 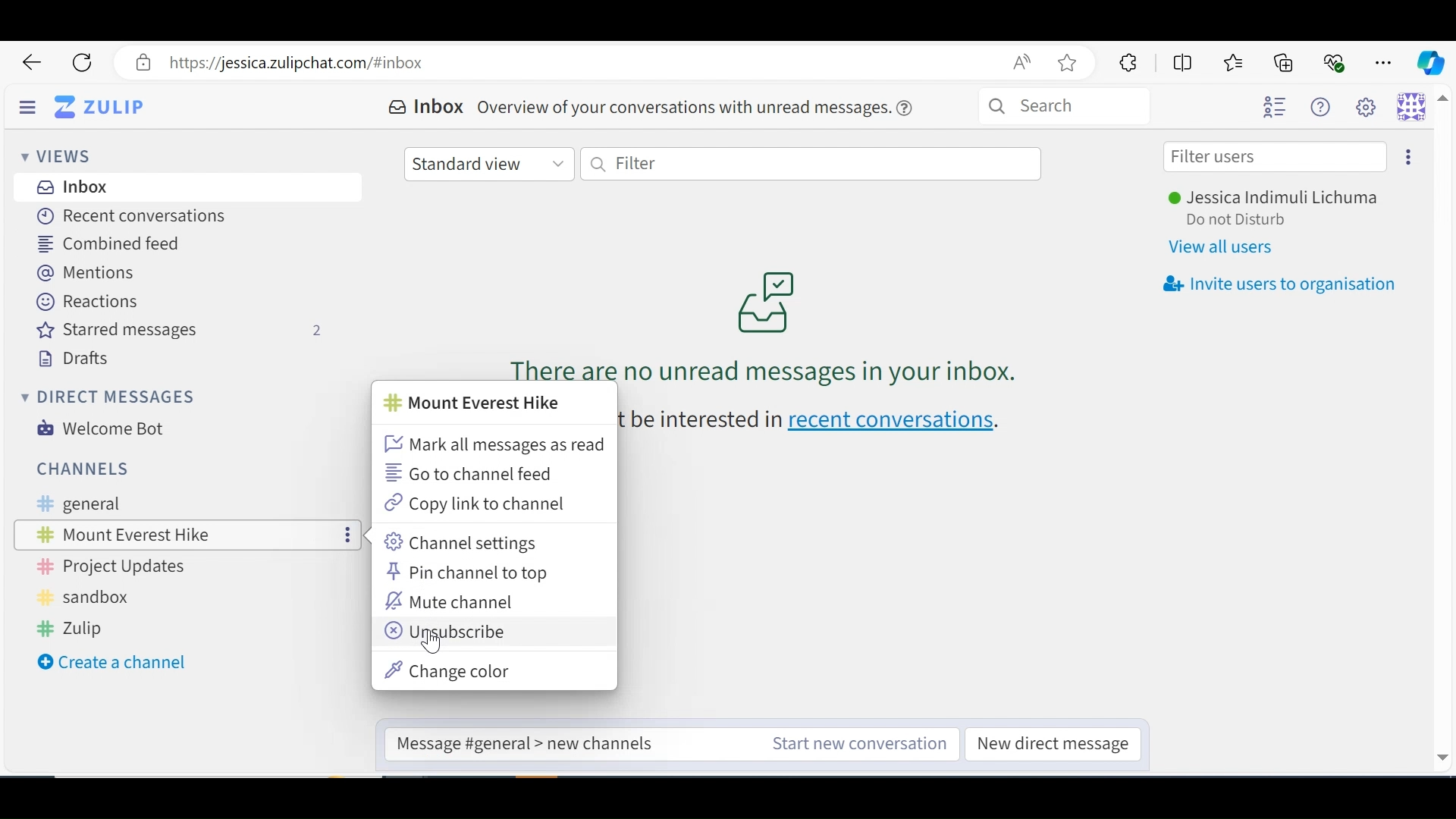 I want to click on overview, so click(x=701, y=106).